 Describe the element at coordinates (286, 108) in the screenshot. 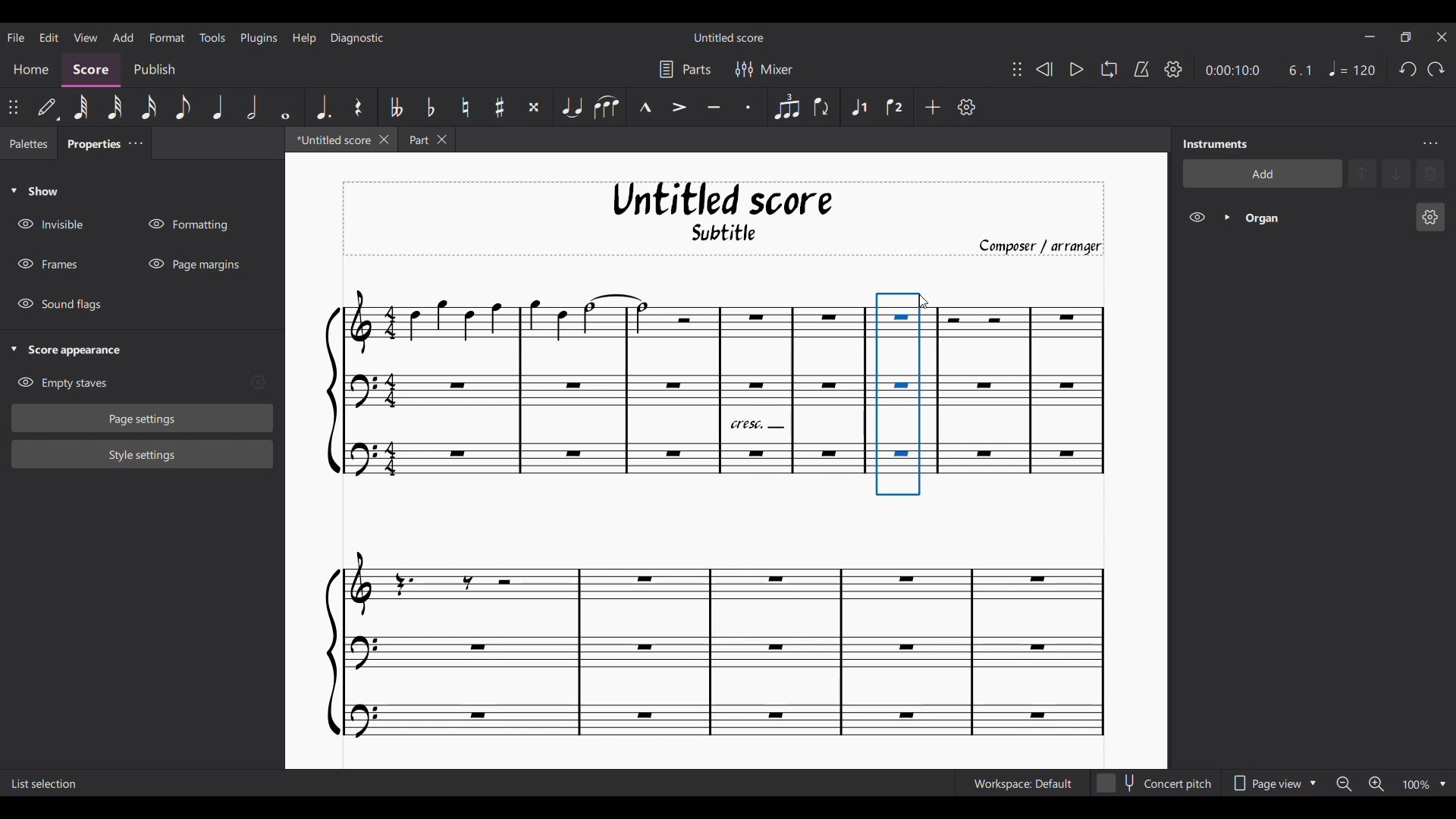

I see `Whole note` at that location.